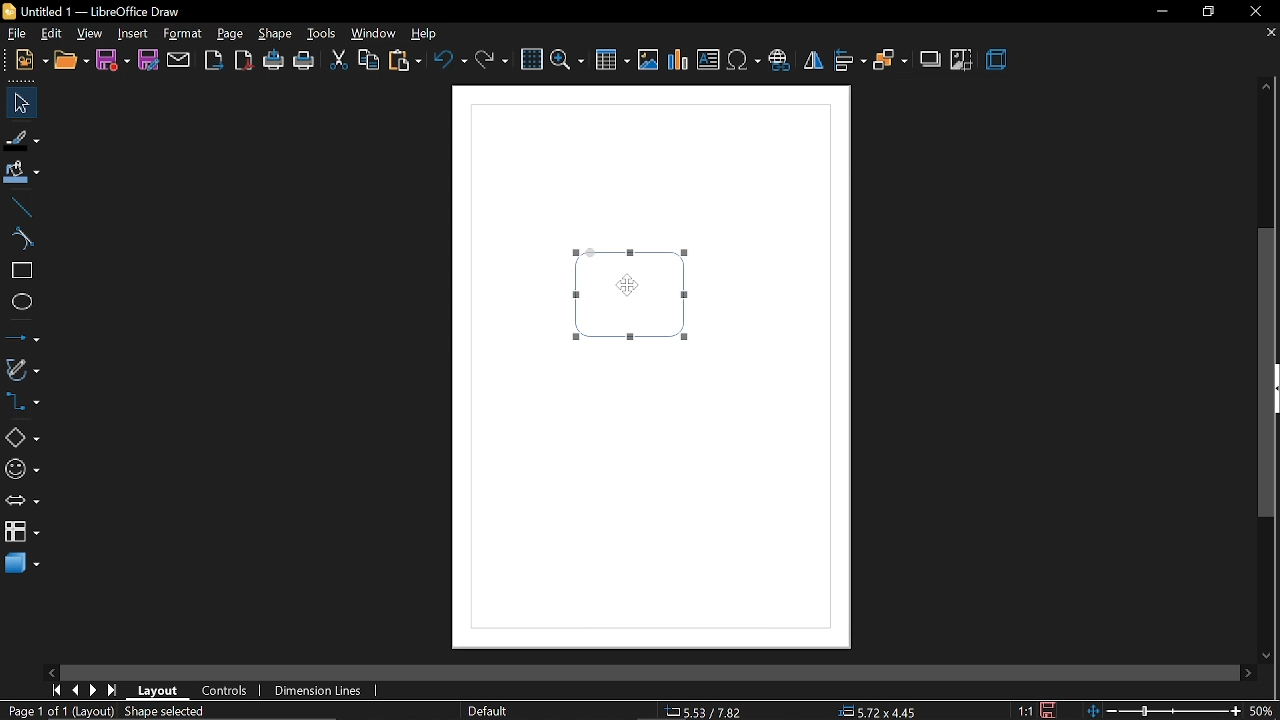  Describe the element at coordinates (32, 60) in the screenshot. I see `file` at that location.